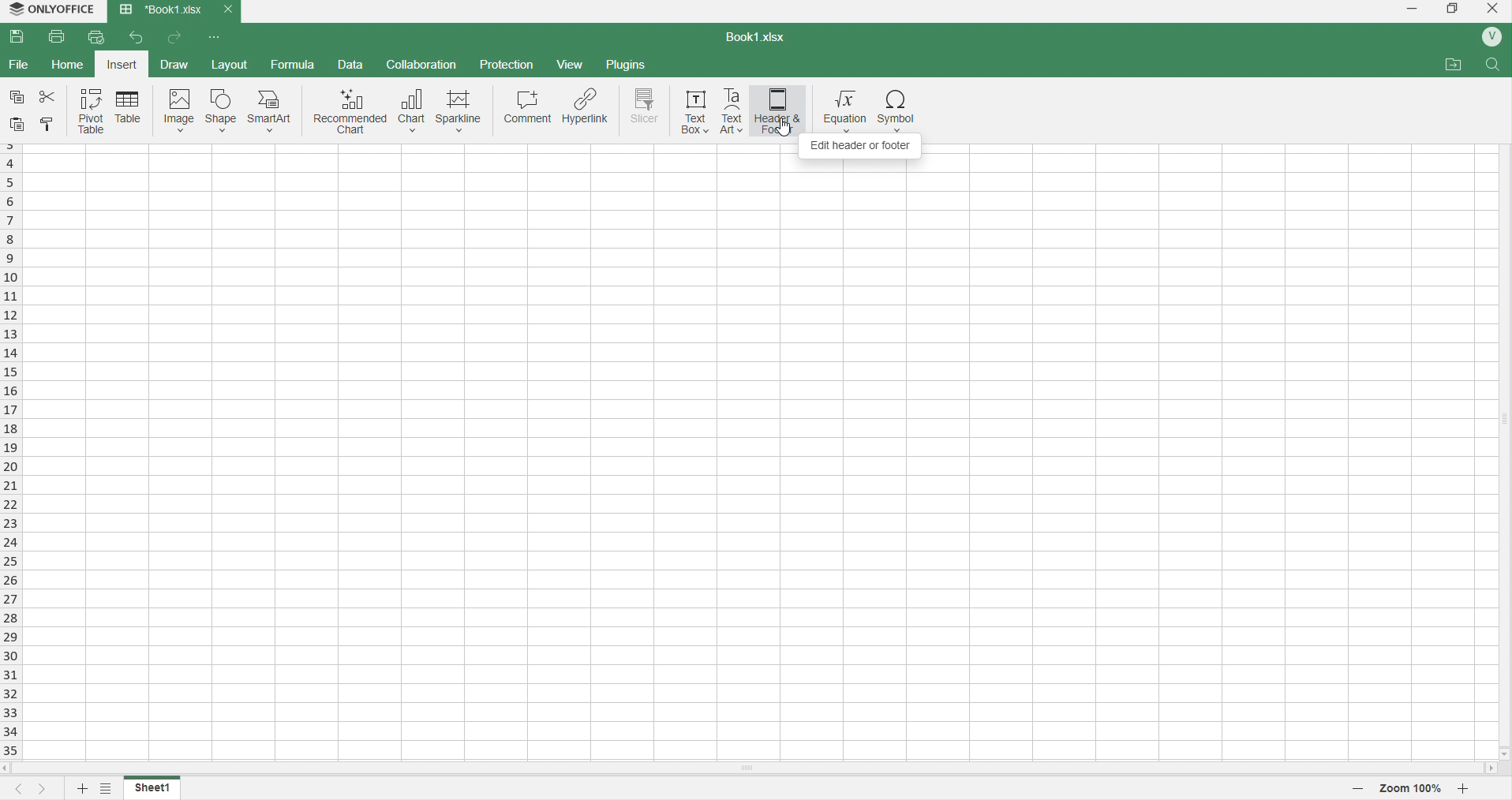  What do you see at coordinates (231, 65) in the screenshot?
I see `layout` at bounding box center [231, 65].